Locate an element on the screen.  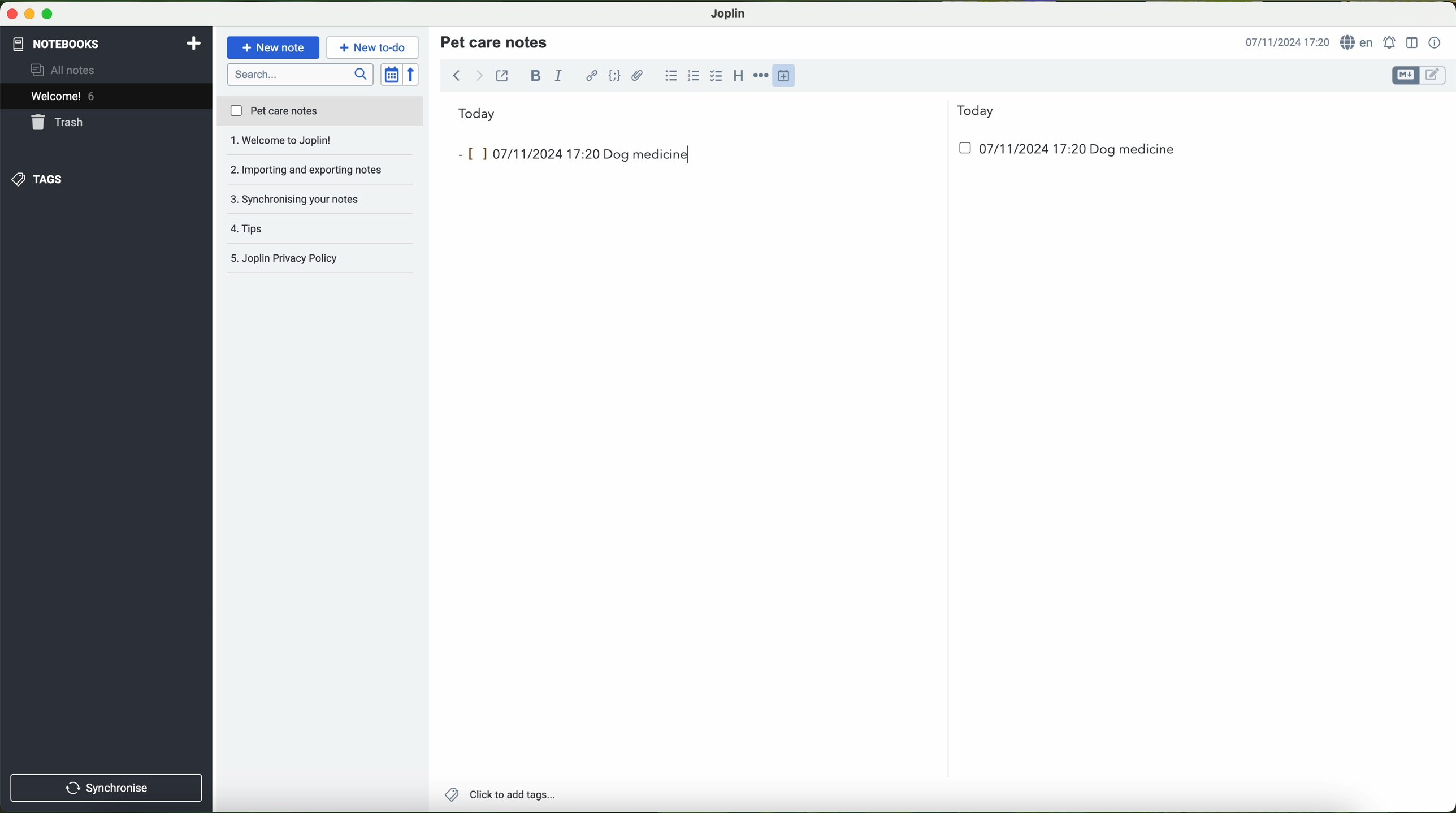
attach file is located at coordinates (638, 75).